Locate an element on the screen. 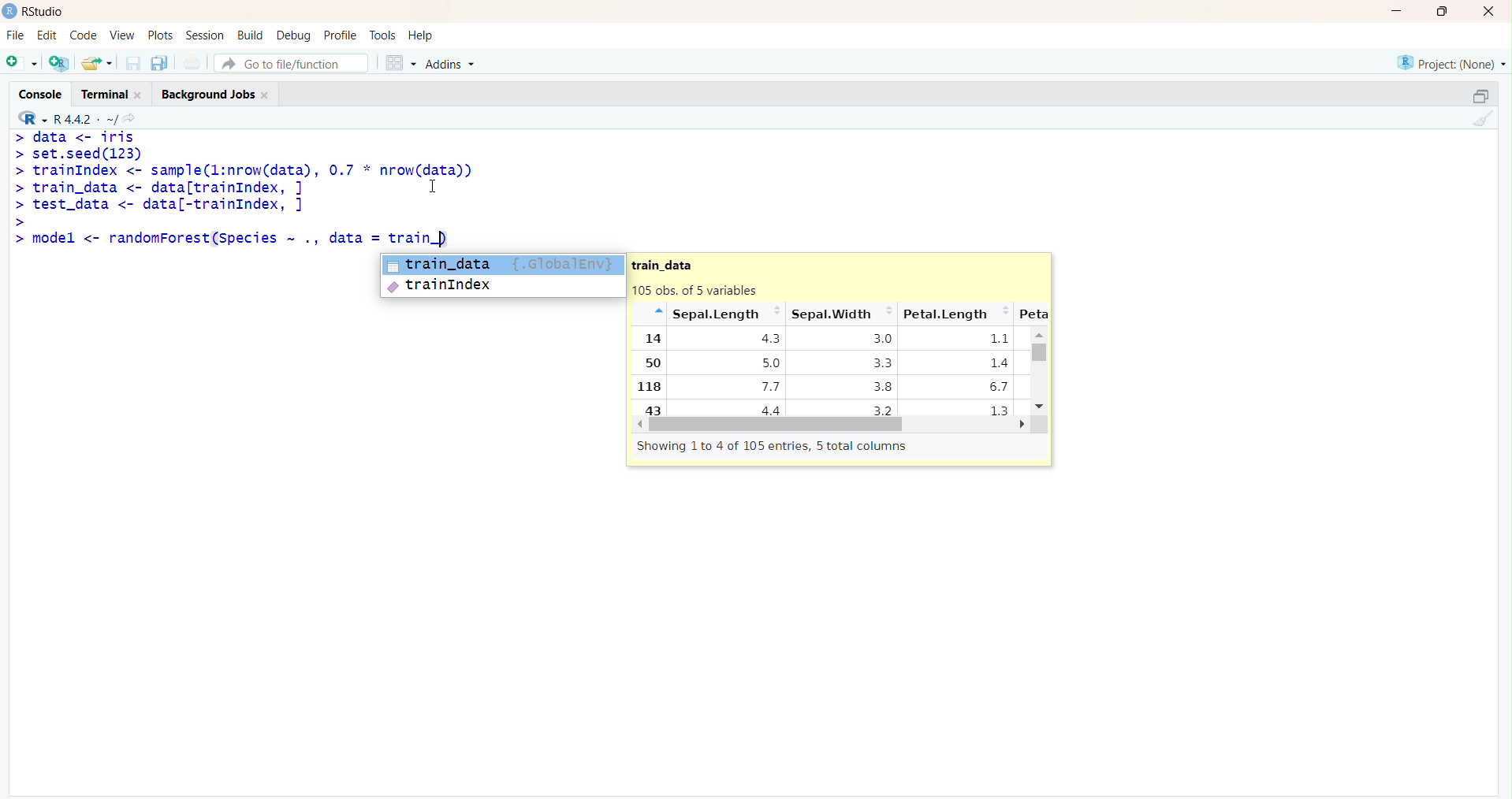 The width and height of the screenshot is (1512, 799). Clear console (Ctrl + L) is located at coordinates (1481, 120).